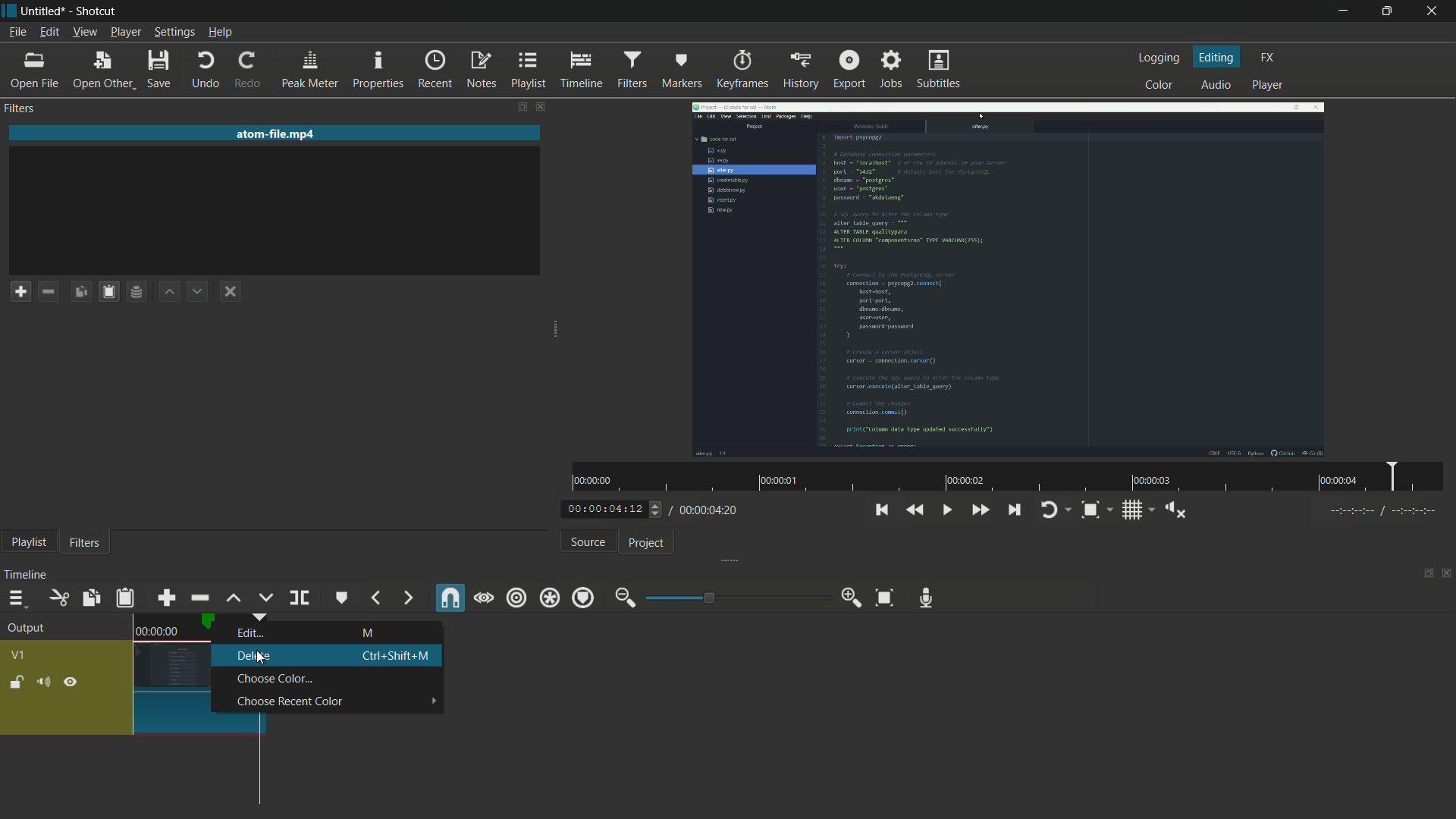 This screenshot has height=819, width=1456. What do you see at coordinates (549, 598) in the screenshot?
I see `ripple all tracks` at bounding box center [549, 598].